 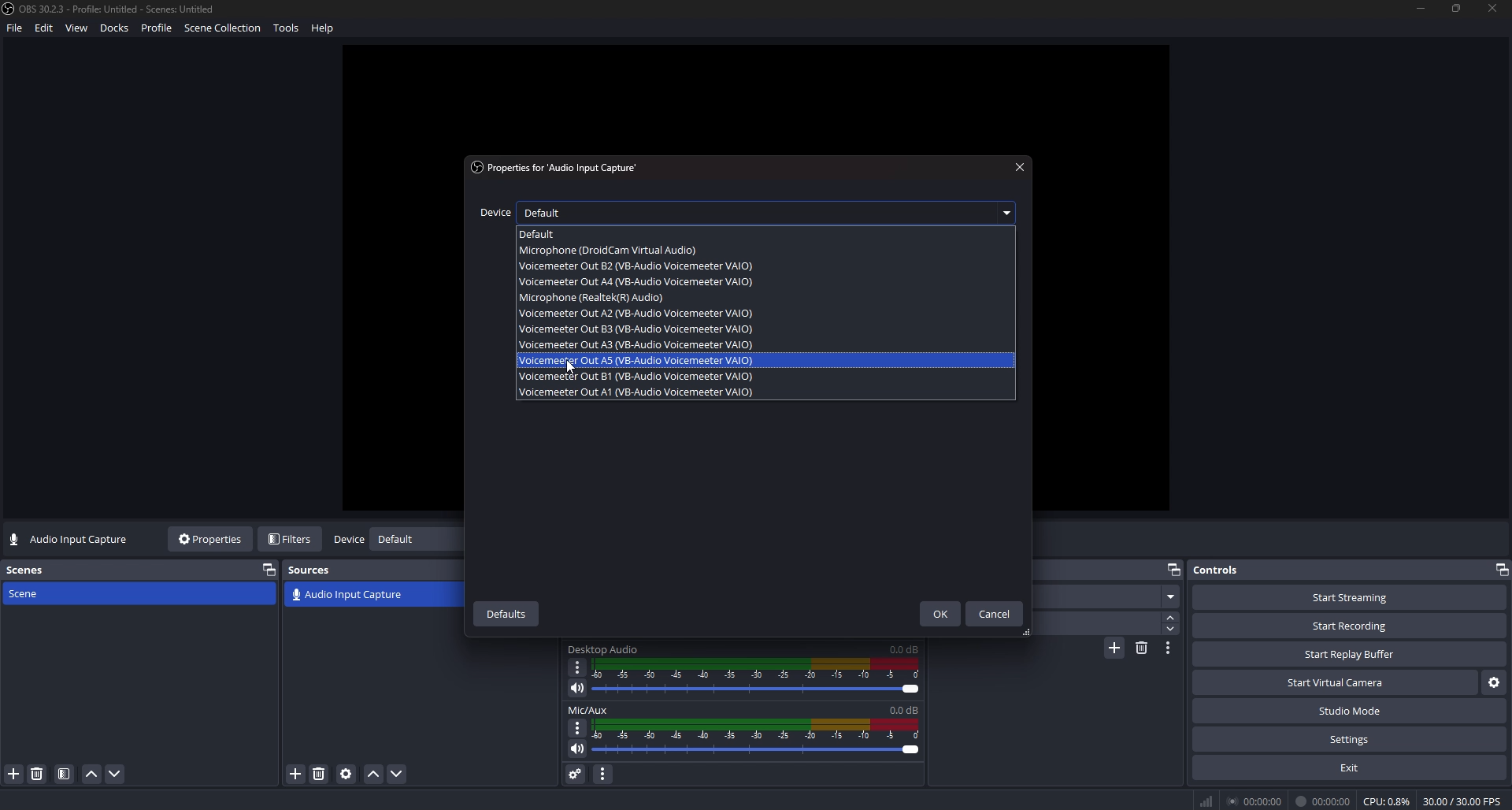 What do you see at coordinates (773, 212) in the screenshot?
I see `default` at bounding box center [773, 212].